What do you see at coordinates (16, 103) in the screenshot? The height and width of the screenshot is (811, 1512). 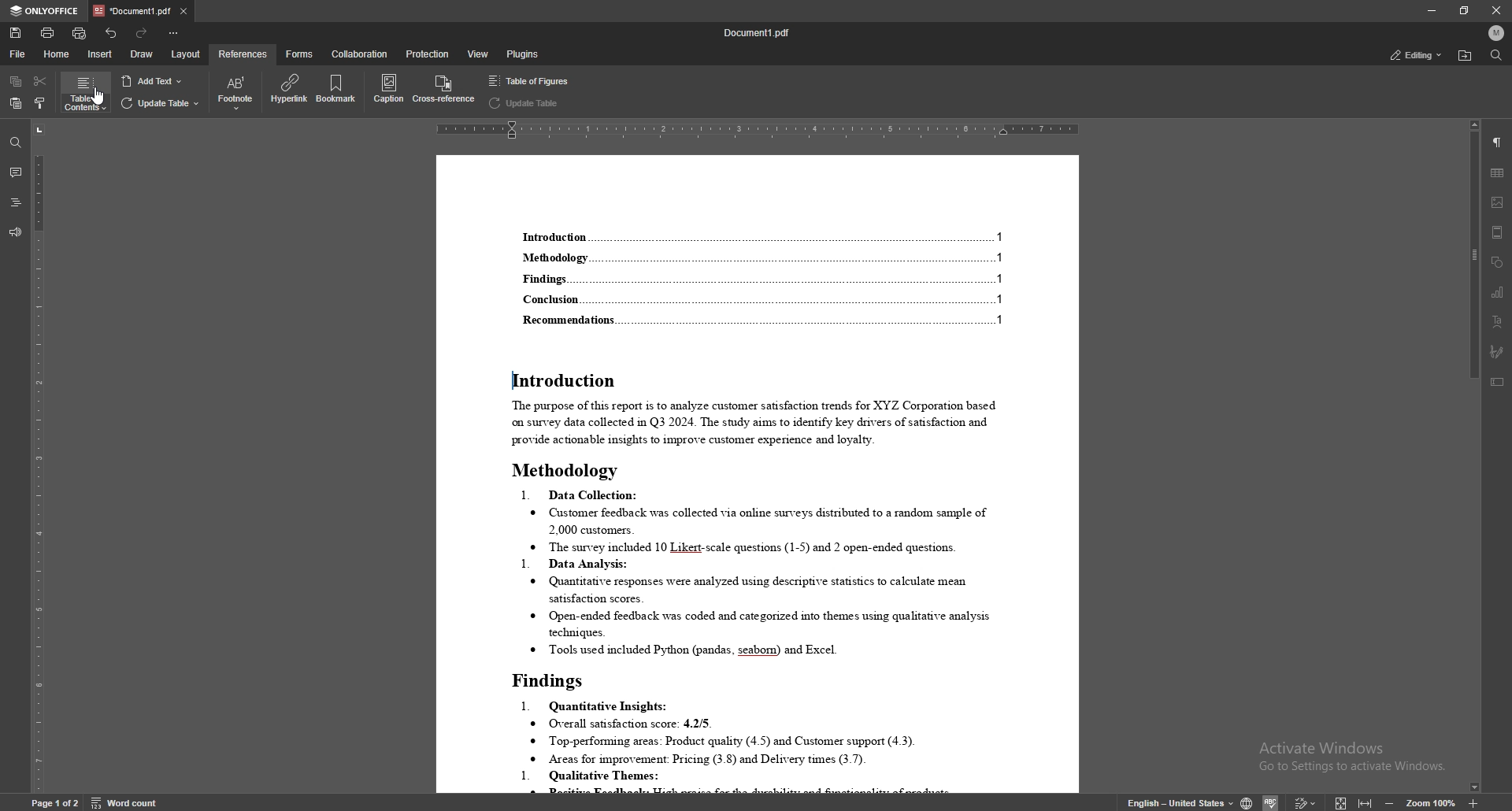 I see `paste` at bounding box center [16, 103].